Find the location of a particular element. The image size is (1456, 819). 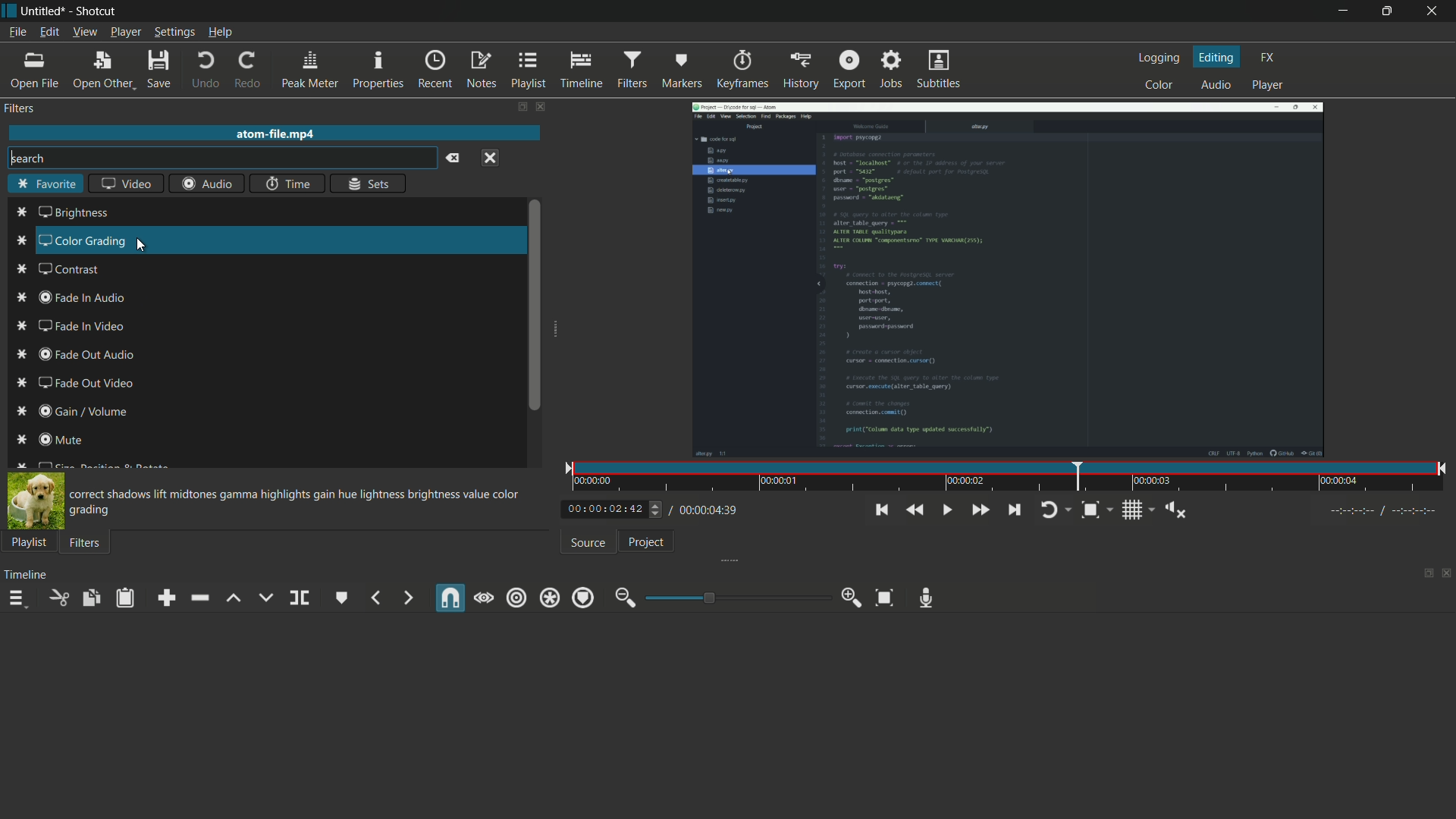

color grading is located at coordinates (83, 242).